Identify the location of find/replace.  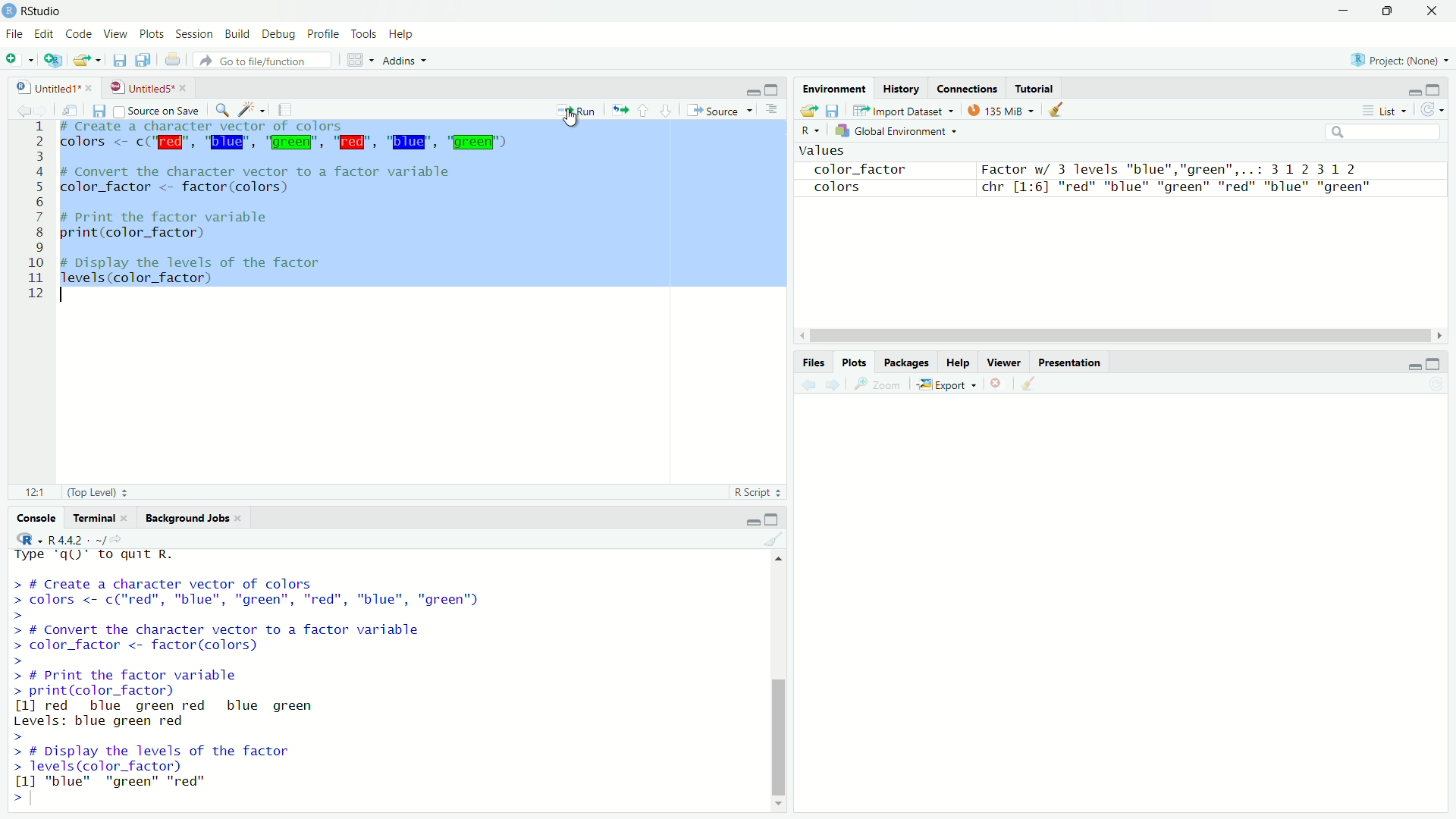
(222, 111).